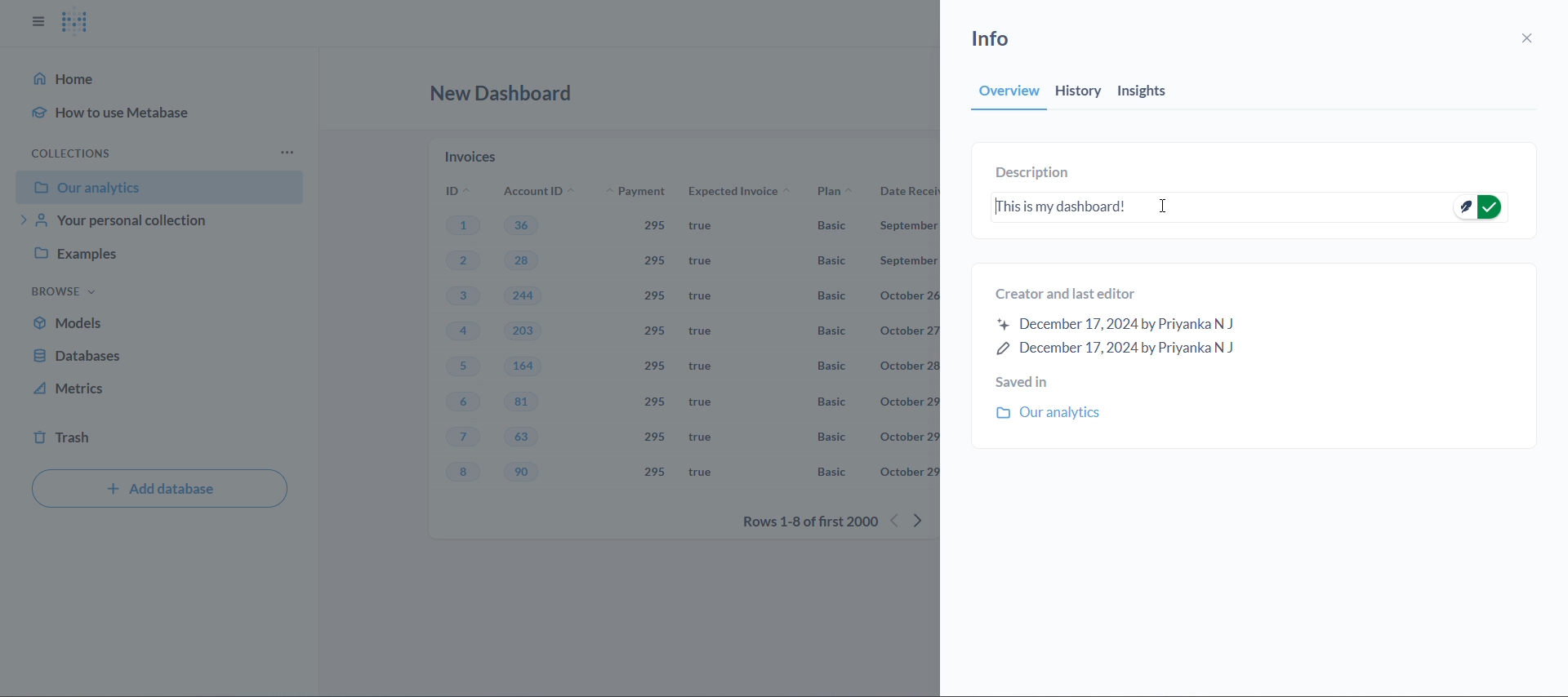  Describe the element at coordinates (462, 403) in the screenshot. I see `6` at that location.